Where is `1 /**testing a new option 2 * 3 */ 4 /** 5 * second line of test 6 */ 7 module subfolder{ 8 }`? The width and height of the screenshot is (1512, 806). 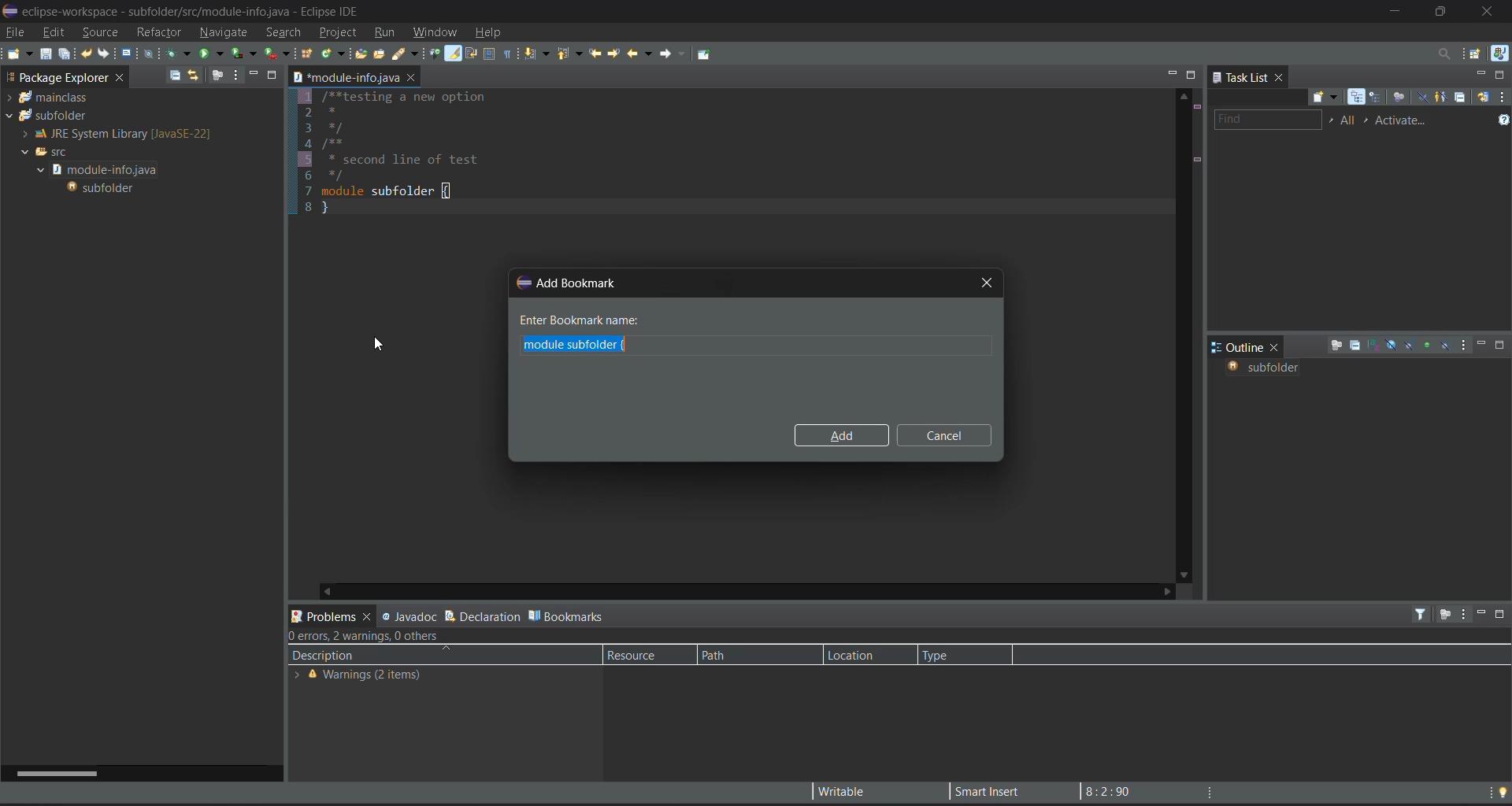
1 /**testing a new option 2 * 3 */ 4 /** 5 * second line of test 6 */ 7 module subfolder{ 8 } is located at coordinates (428, 154).